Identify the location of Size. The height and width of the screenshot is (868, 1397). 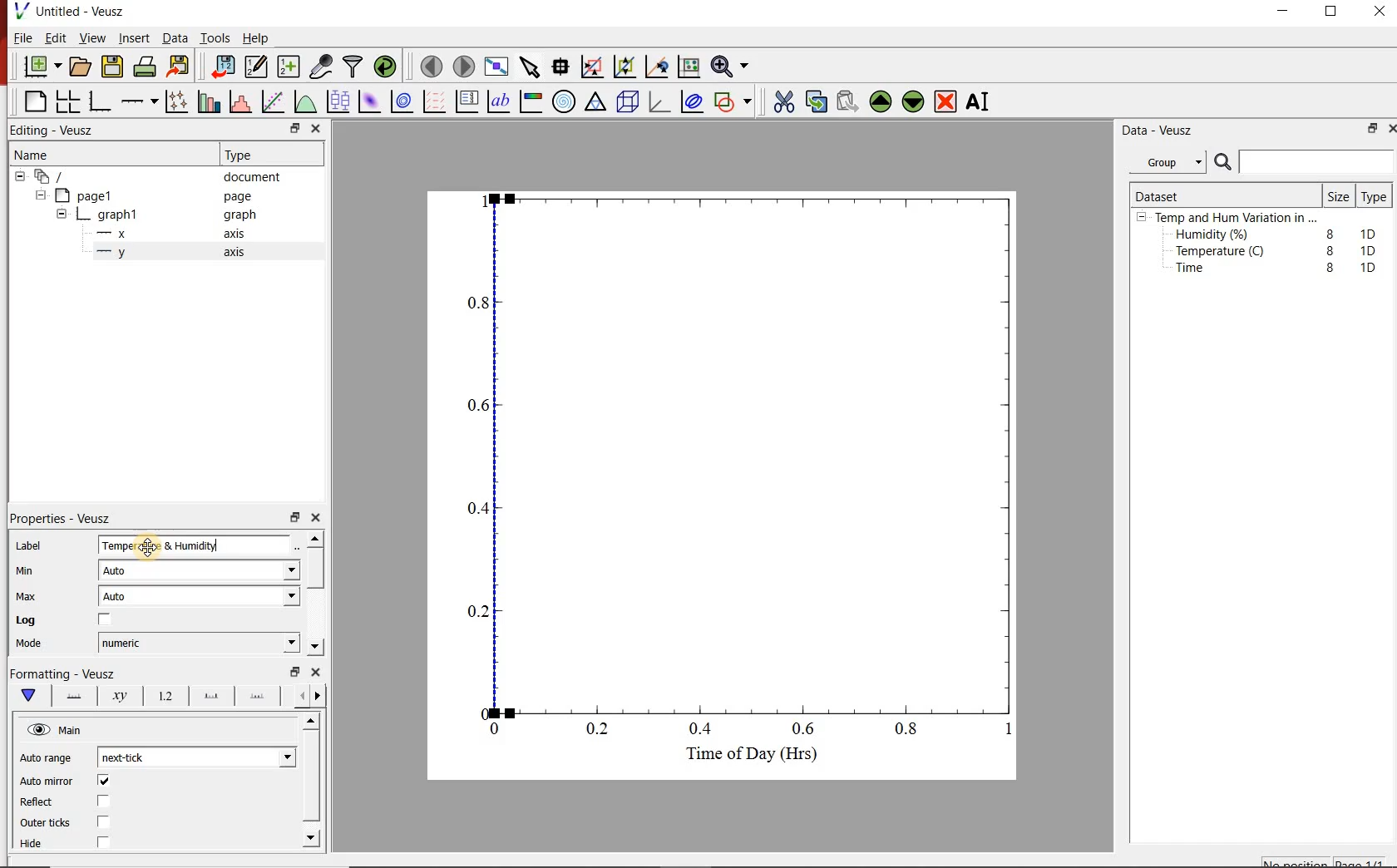
(1337, 195).